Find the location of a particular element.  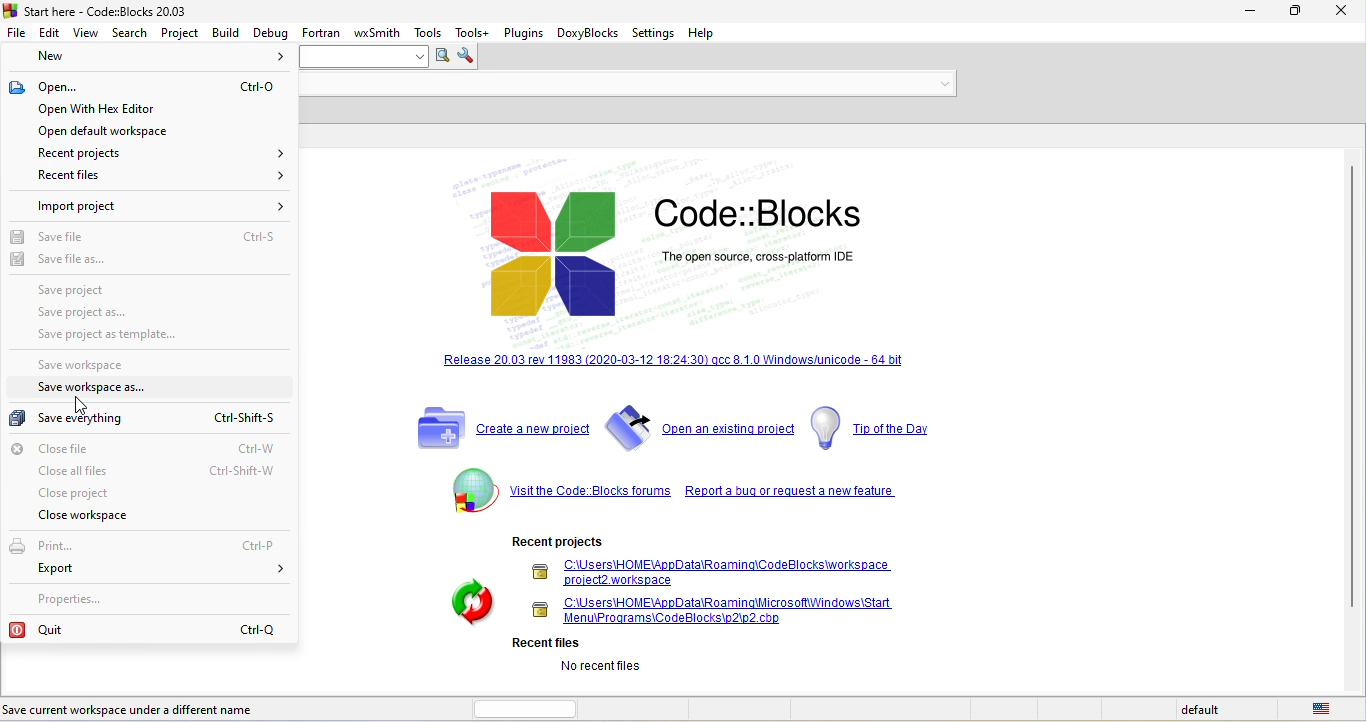

vertical scroll bar is located at coordinates (1350, 387).